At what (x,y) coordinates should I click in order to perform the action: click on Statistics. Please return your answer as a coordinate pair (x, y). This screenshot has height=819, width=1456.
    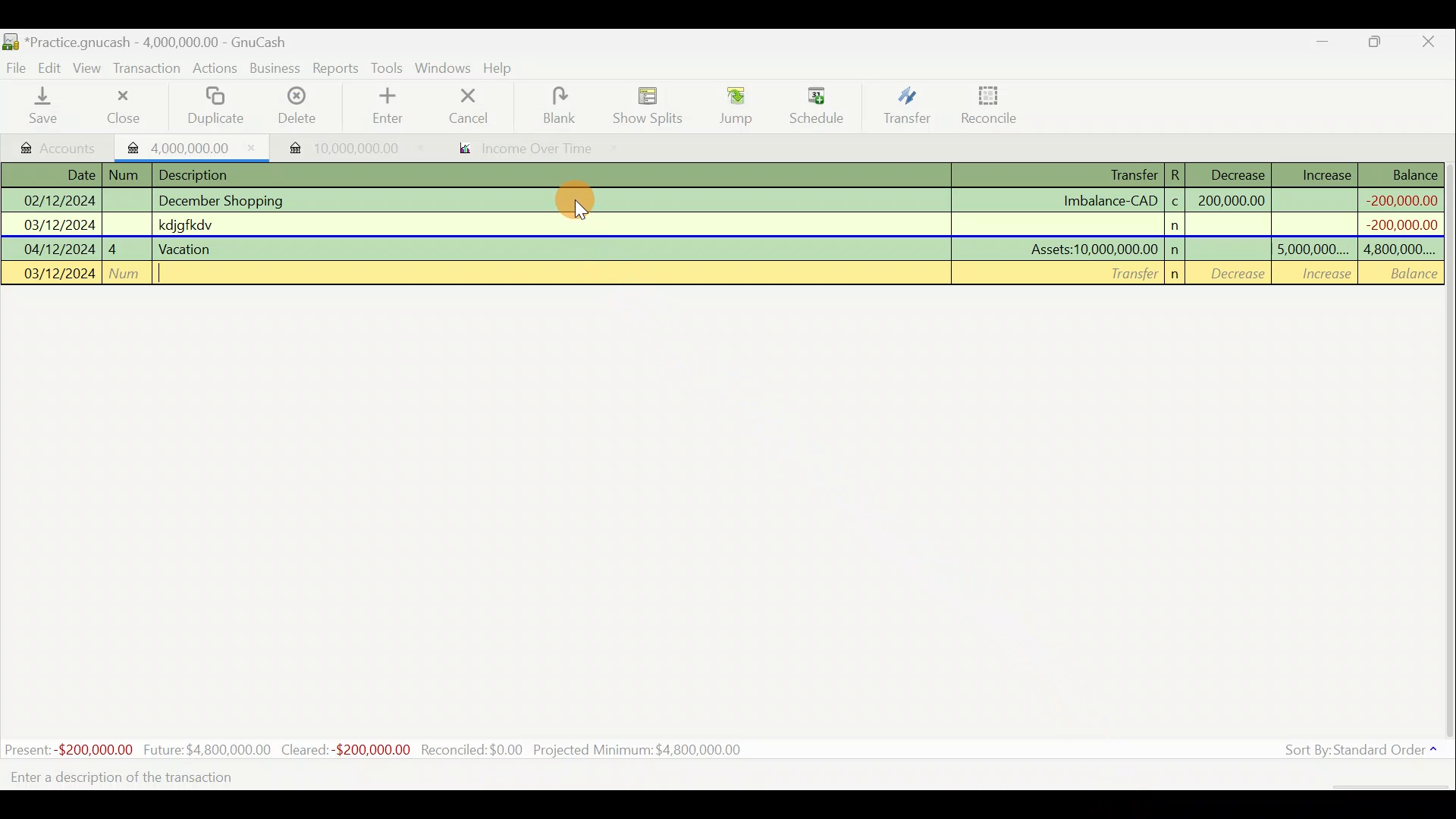
    Looking at the image, I should click on (378, 748).